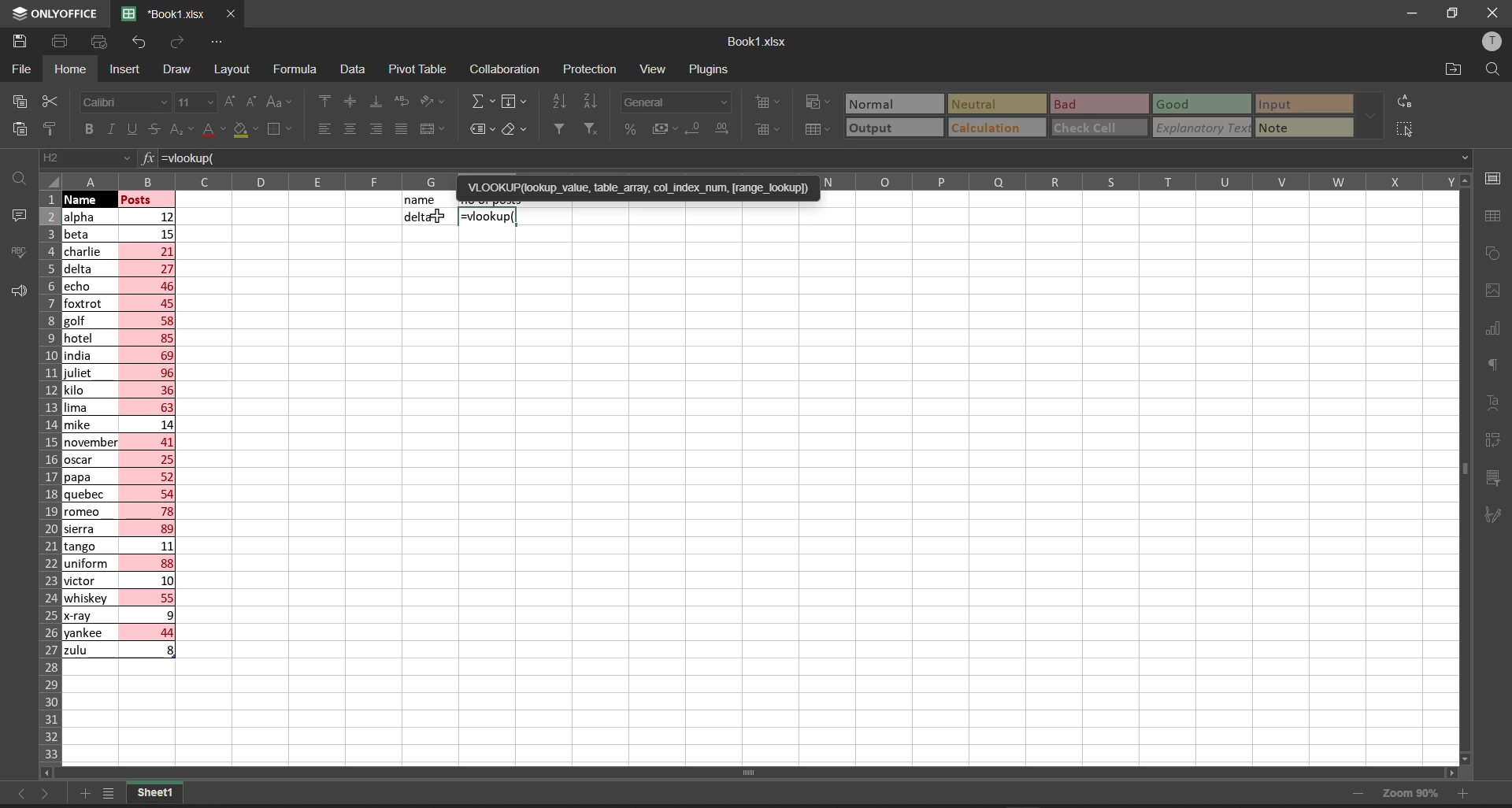  Describe the element at coordinates (1447, 770) in the screenshot. I see `scroll right` at that location.